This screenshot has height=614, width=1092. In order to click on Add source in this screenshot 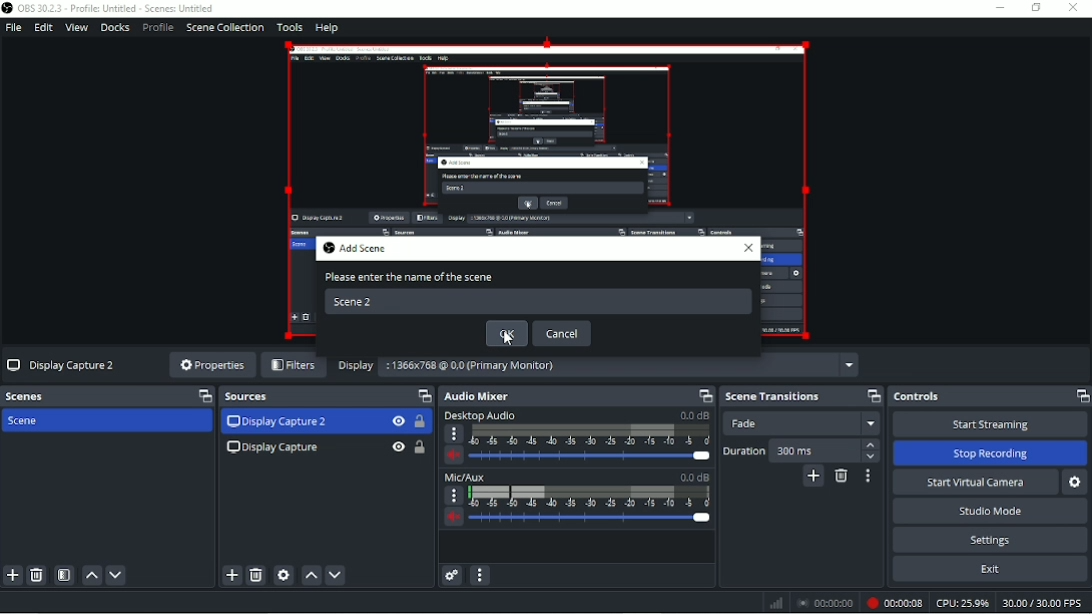, I will do `click(230, 576)`.